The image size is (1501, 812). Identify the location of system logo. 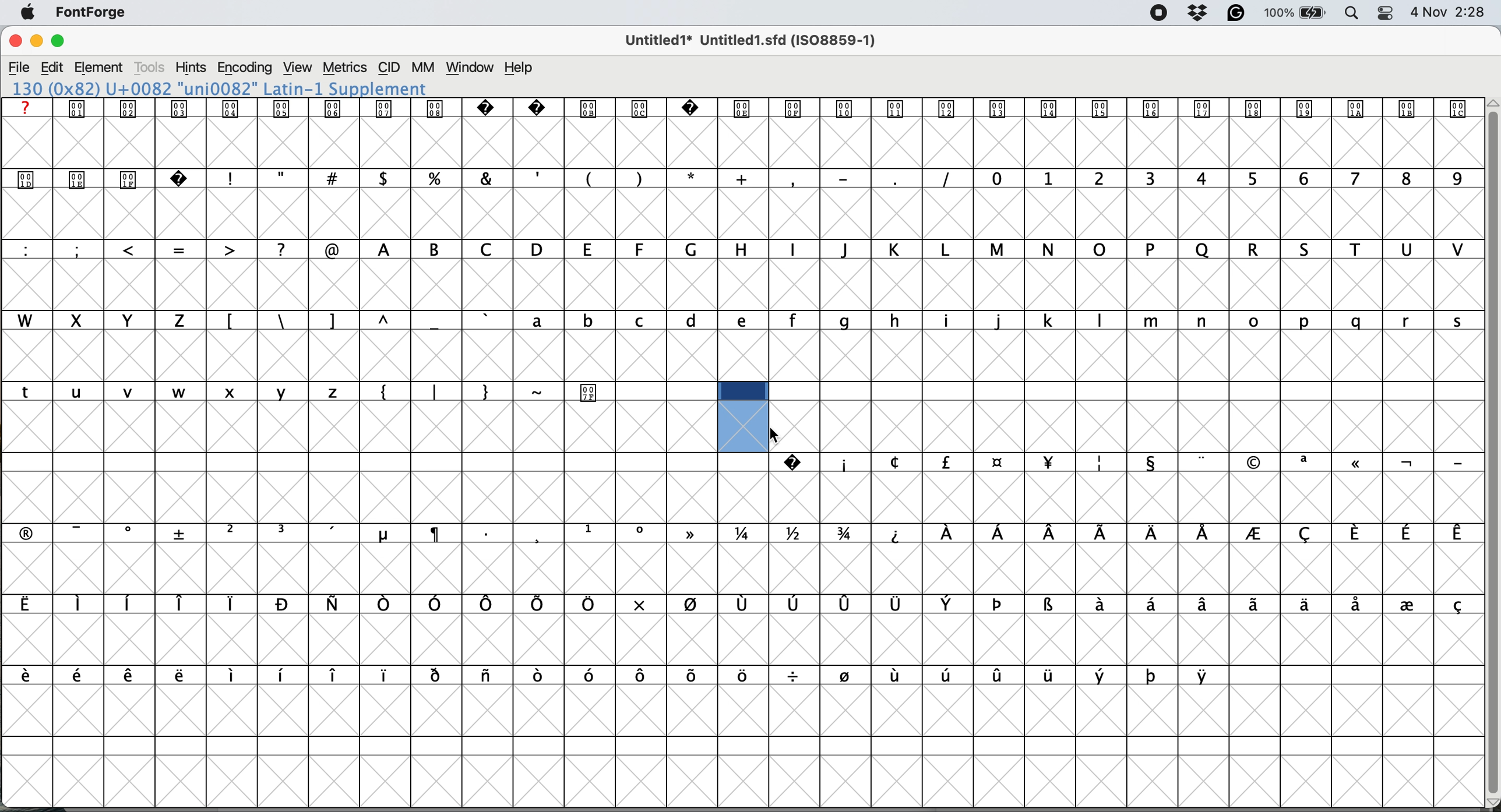
(28, 13).